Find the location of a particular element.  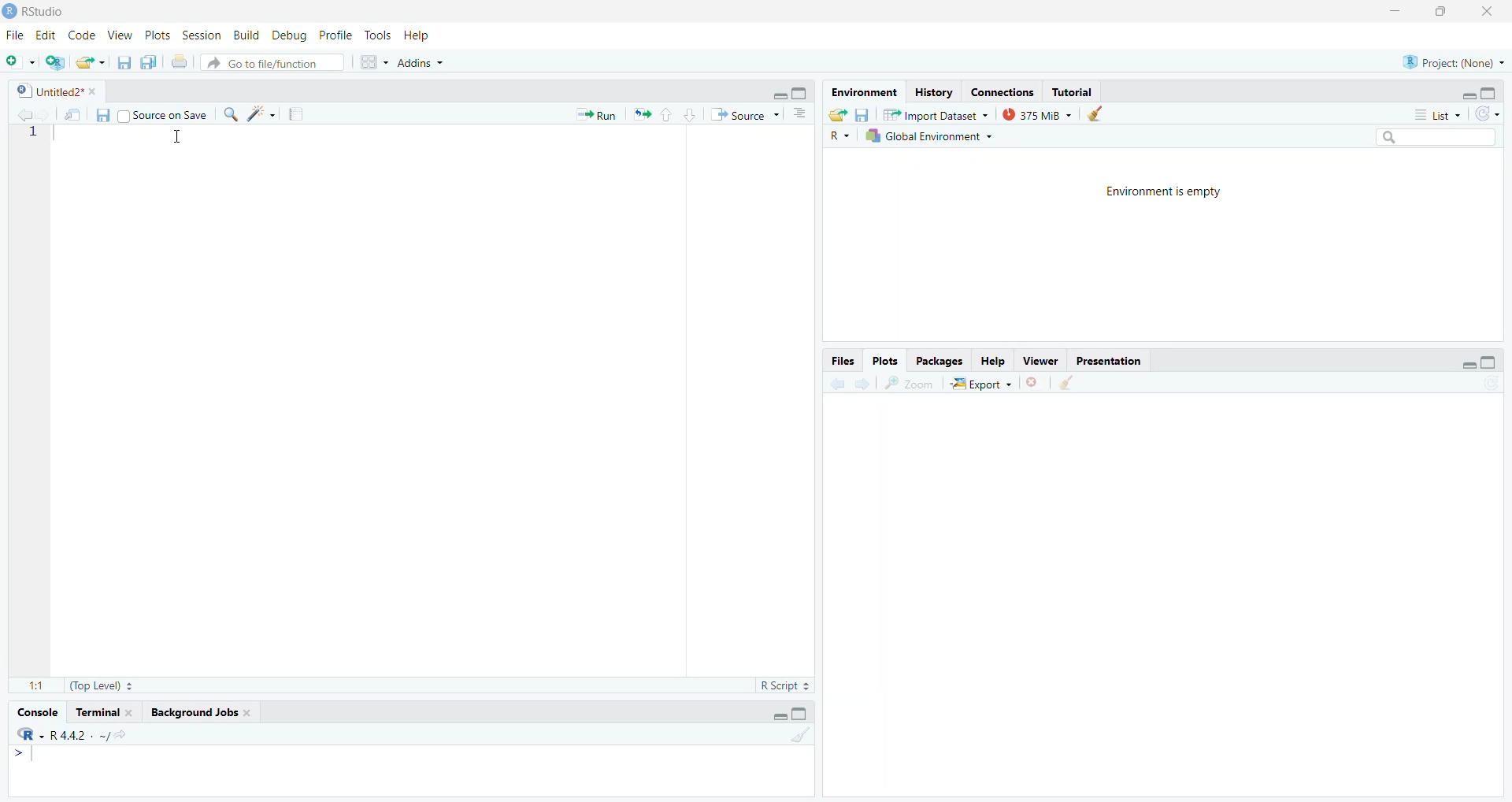

hide r script is located at coordinates (781, 715).